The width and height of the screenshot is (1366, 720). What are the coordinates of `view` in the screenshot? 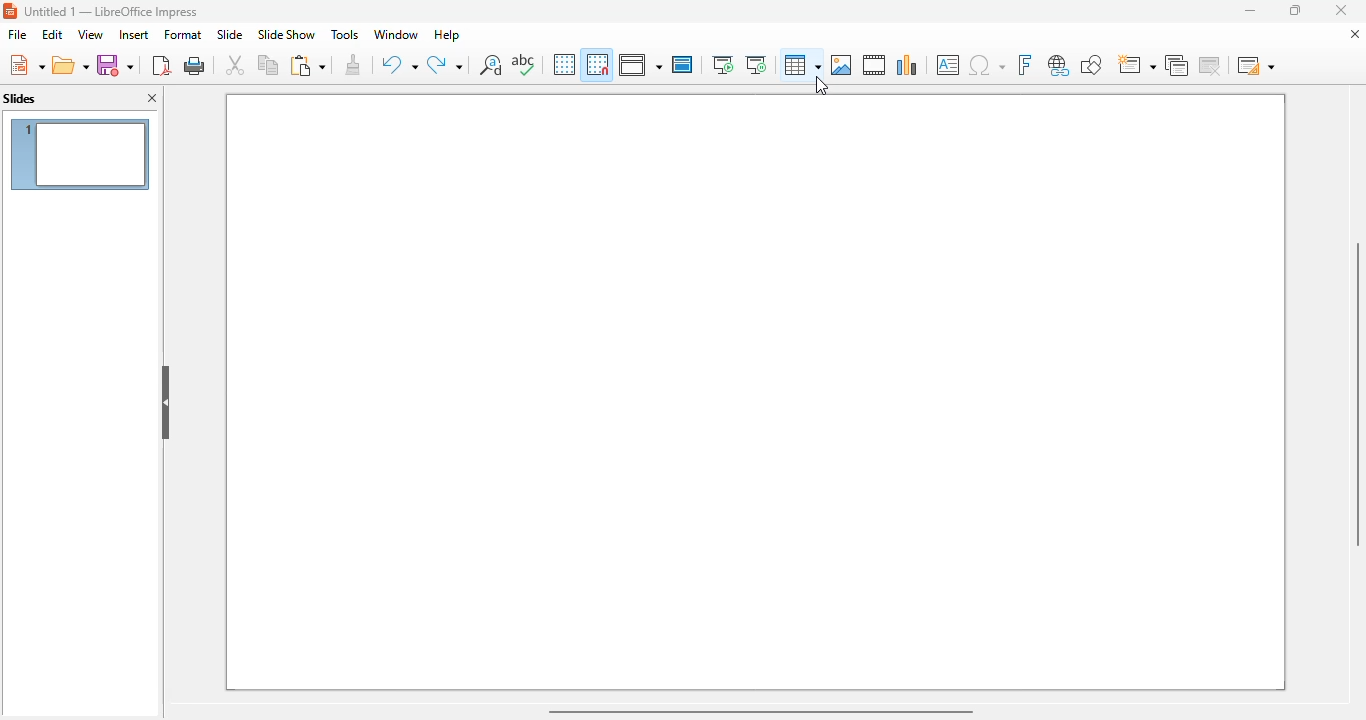 It's located at (90, 34).